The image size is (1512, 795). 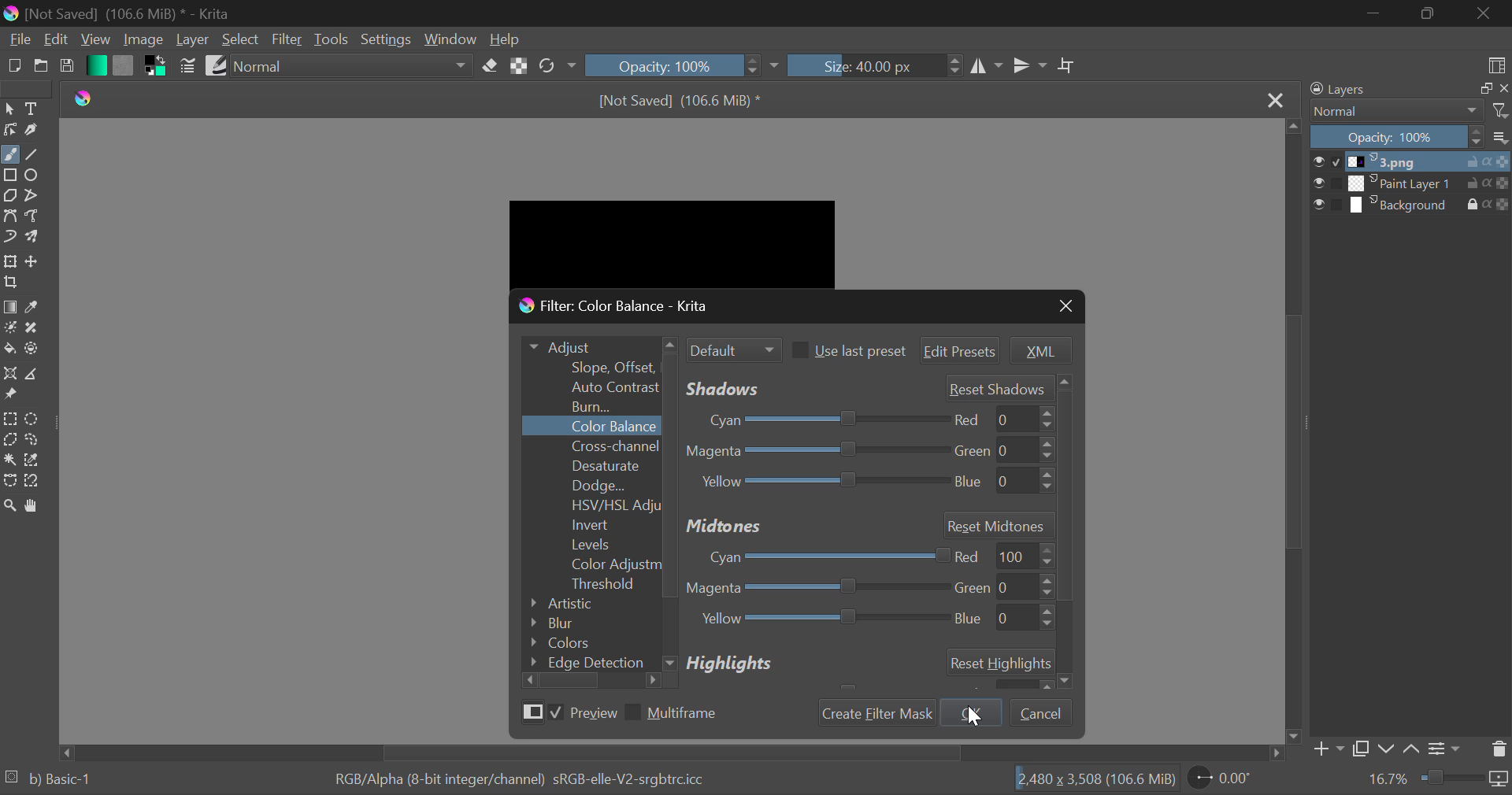 I want to click on maximize, so click(x=1481, y=89).